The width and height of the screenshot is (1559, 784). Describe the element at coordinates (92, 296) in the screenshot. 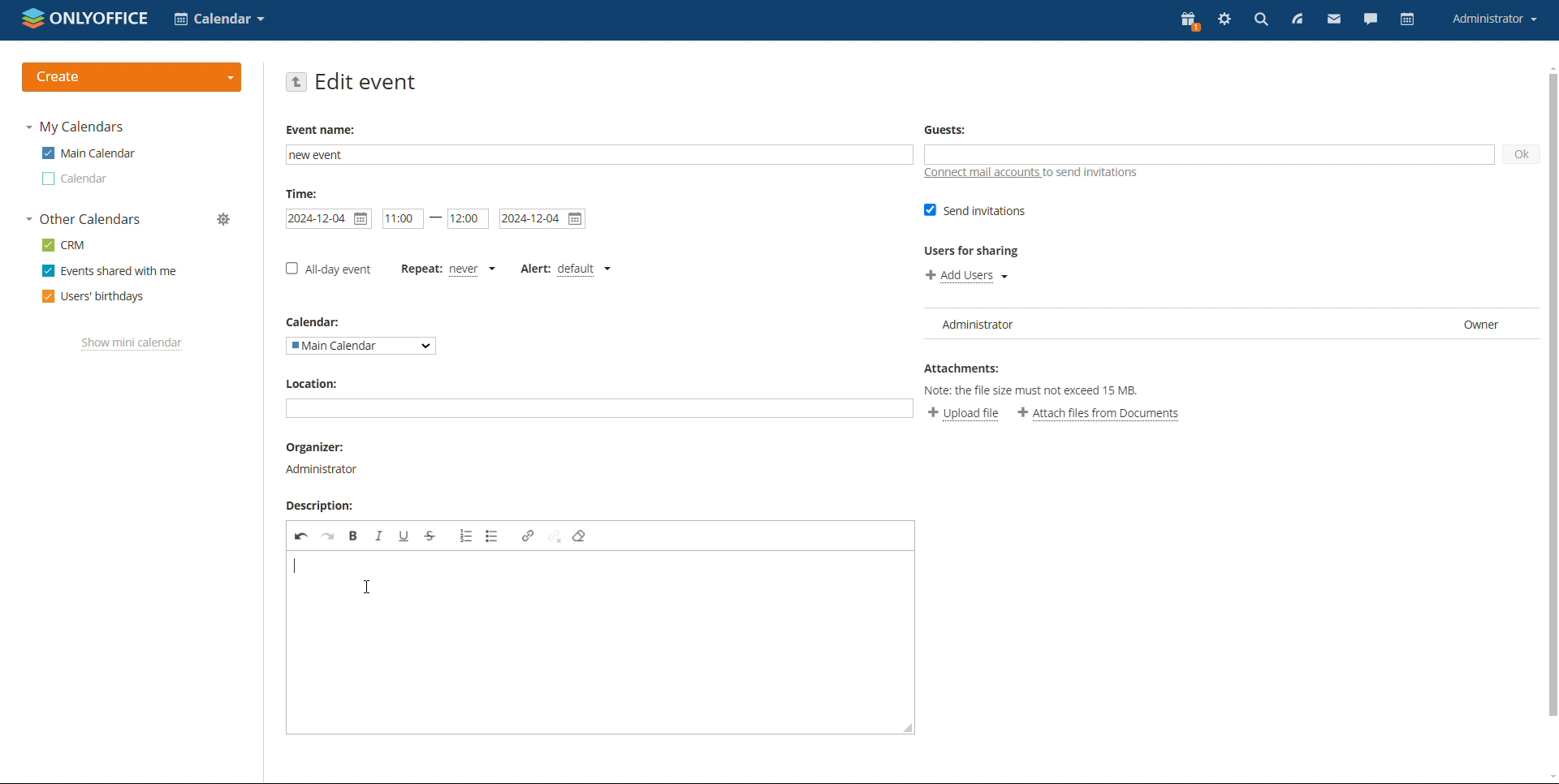

I see `users' birthdays` at that location.